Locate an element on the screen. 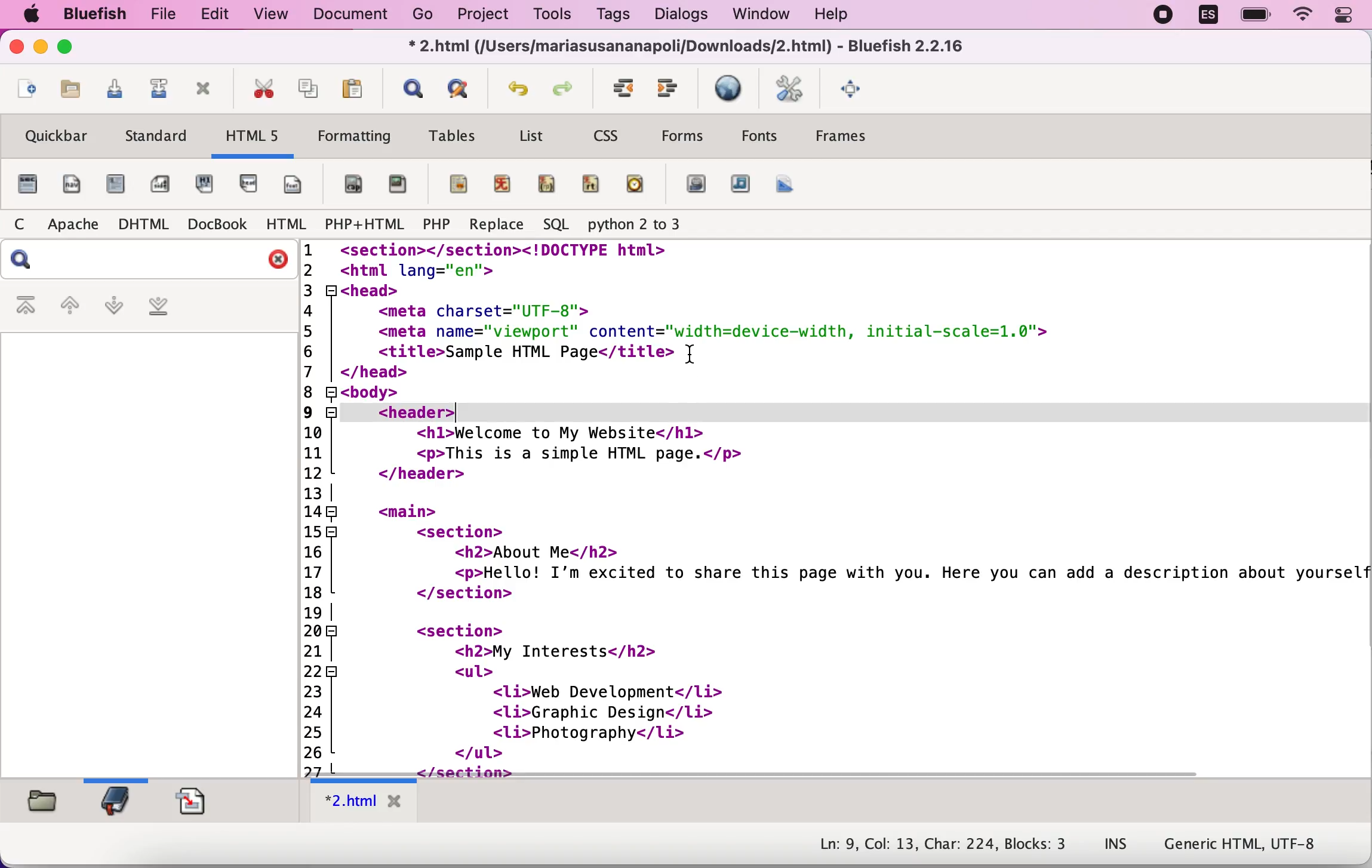 The image size is (1372, 868). audio is located at coordinates (741, 184).